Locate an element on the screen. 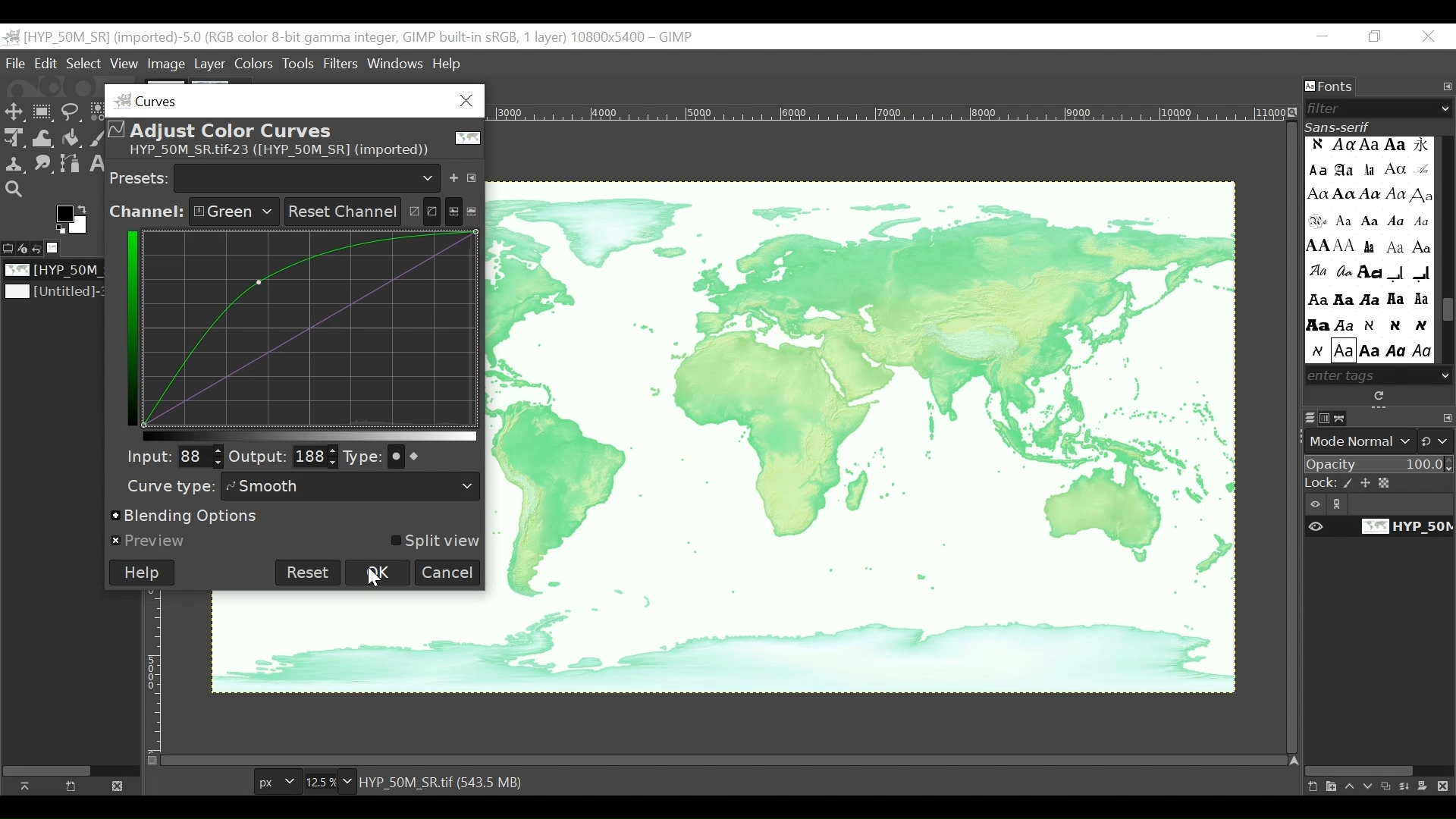 Image resolution: width=1456 pixels, height=819 pixels. Save the current setting as named preset is located at coordinates (457, 175).